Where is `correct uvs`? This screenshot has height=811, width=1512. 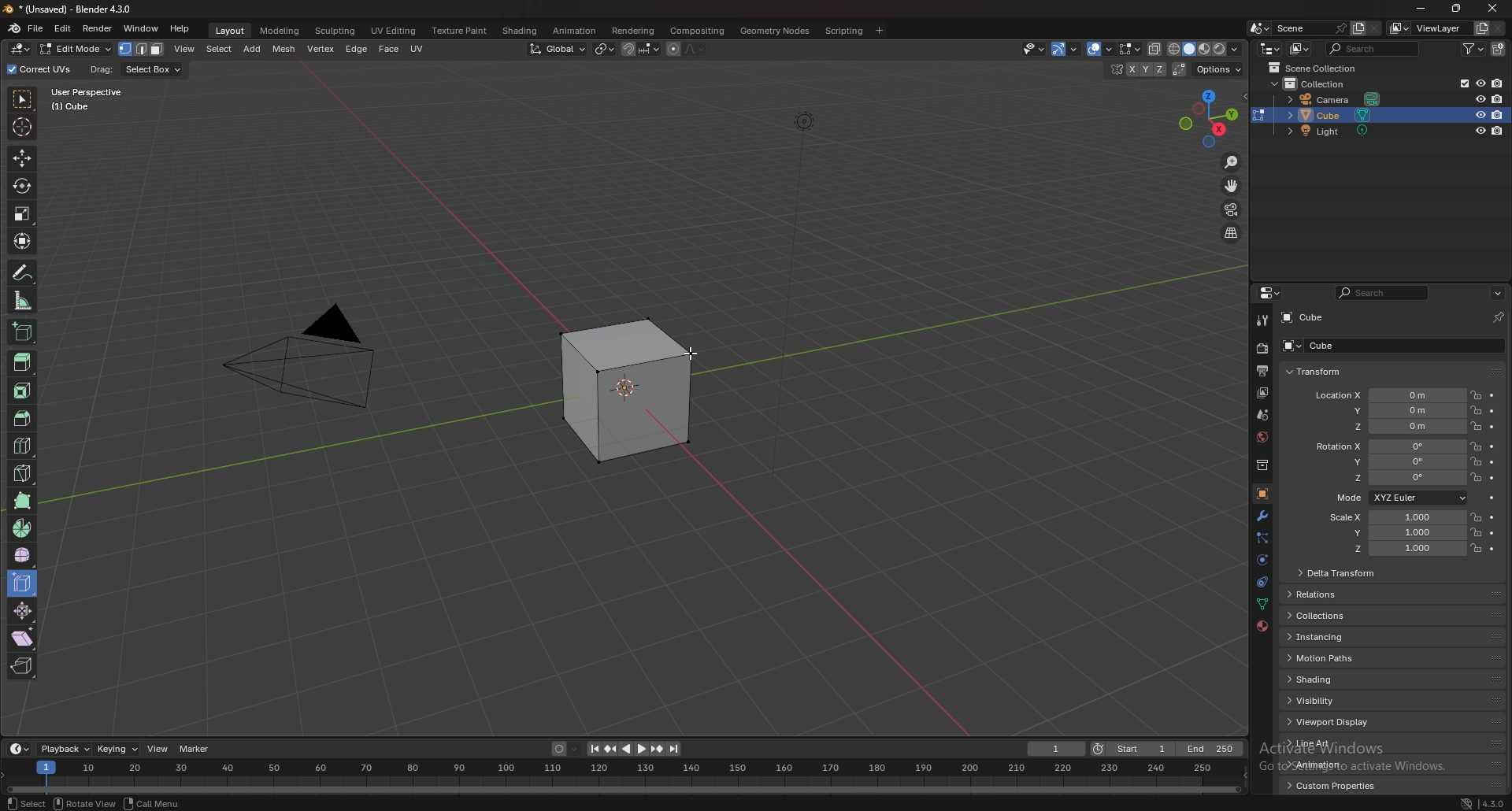
correct uvs is located at coordinates (41, 69).